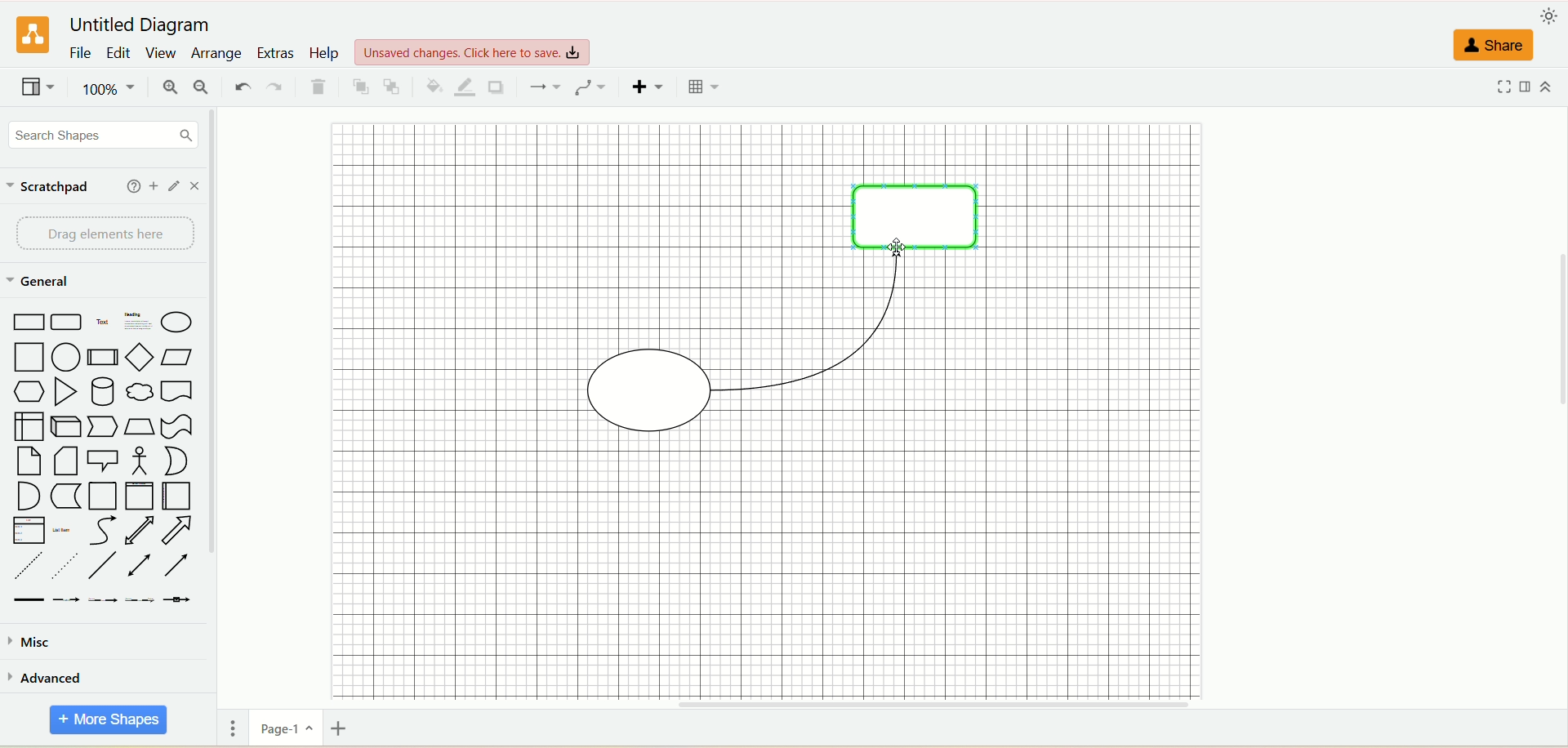 The image size is (1568, 748). I want to click on pages, so click(229, 730).